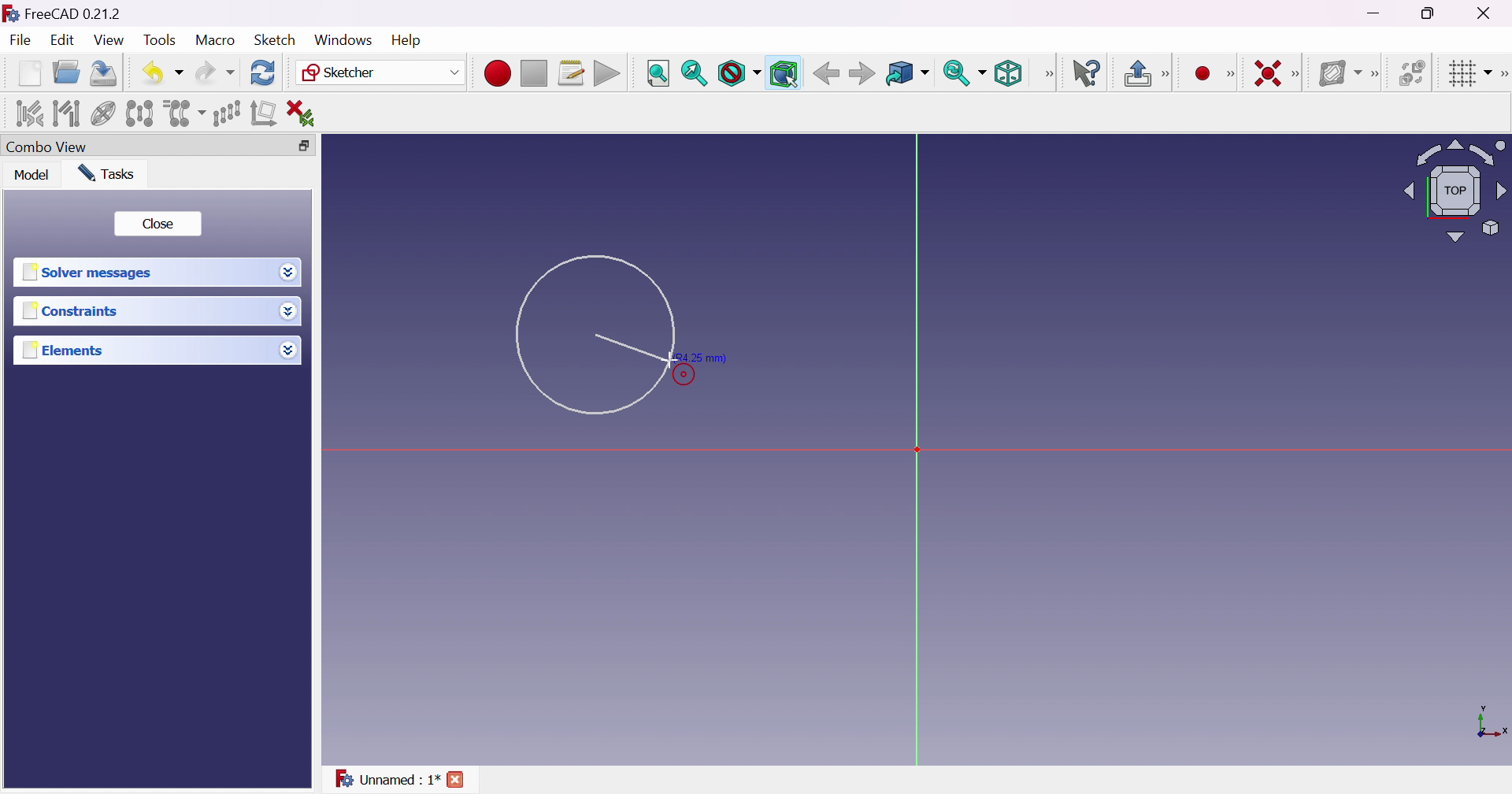 The image size is (1512, 794). Describe the element at coordinates (382, 72) in the screenshot. I see `Sketcher` at that location.